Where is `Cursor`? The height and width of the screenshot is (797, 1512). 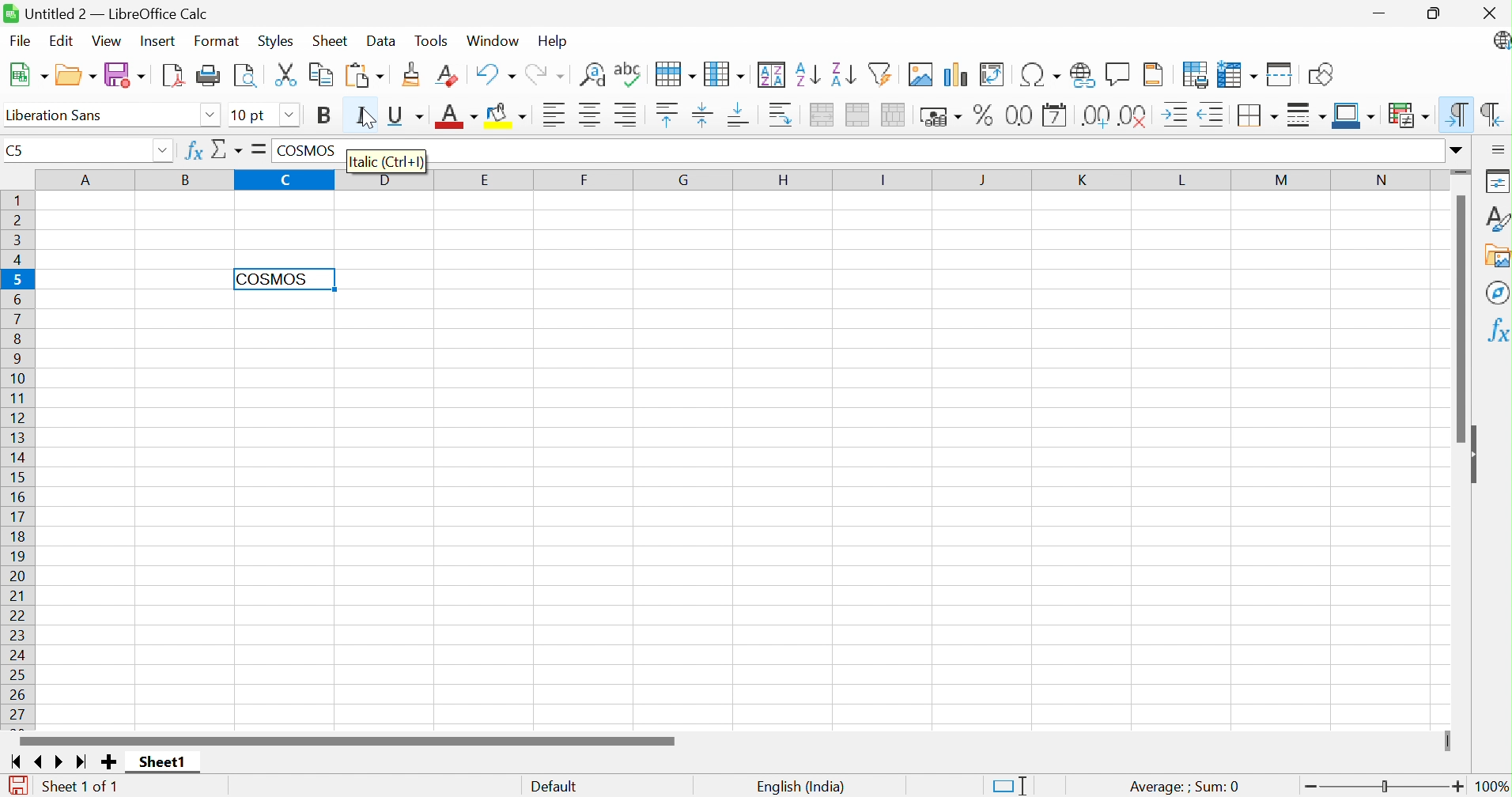
Cursor is located at coordinates (365, 118).